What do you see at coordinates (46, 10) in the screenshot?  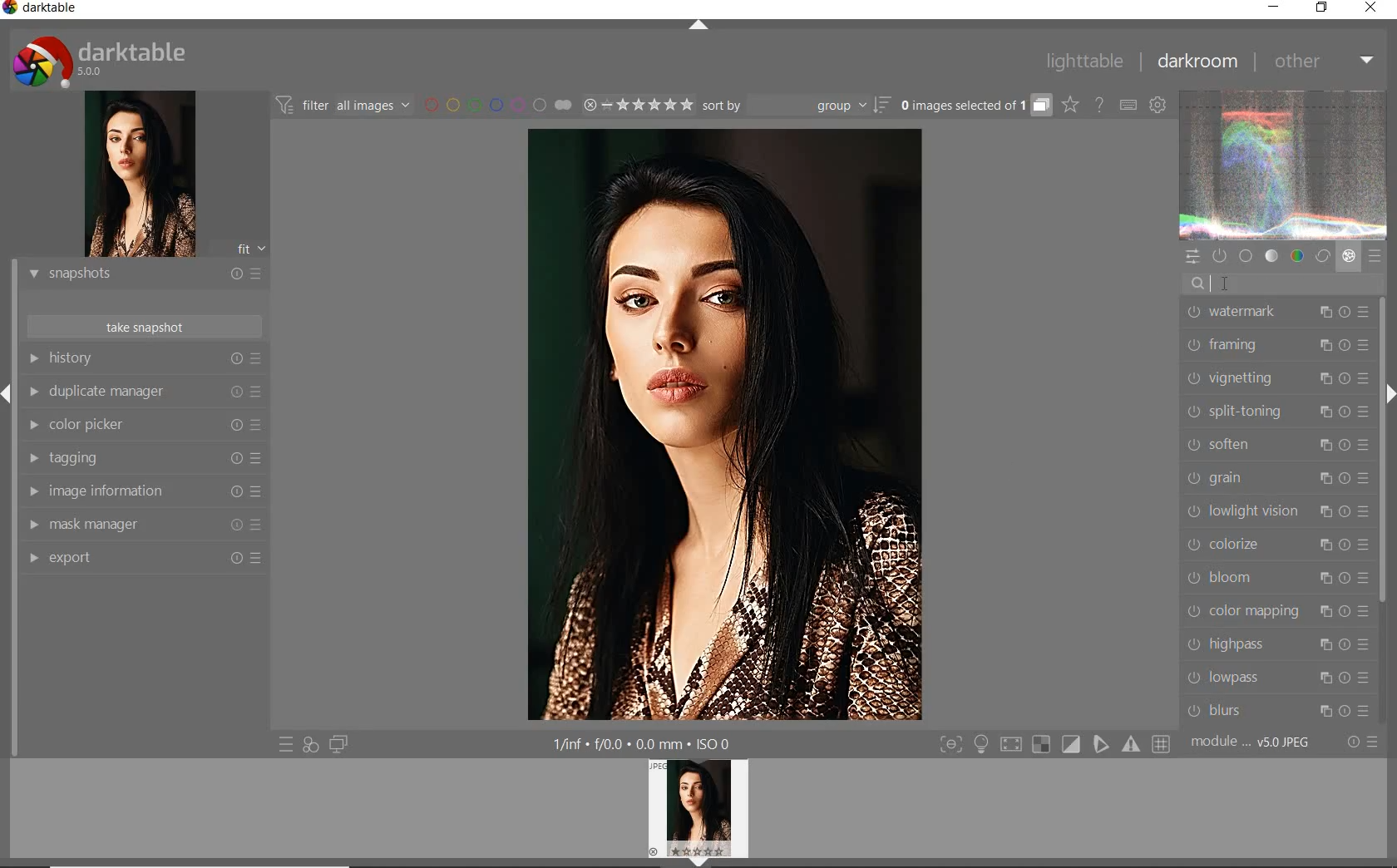 I see `SYSTEM NAME` at bounding box center [46, 10].